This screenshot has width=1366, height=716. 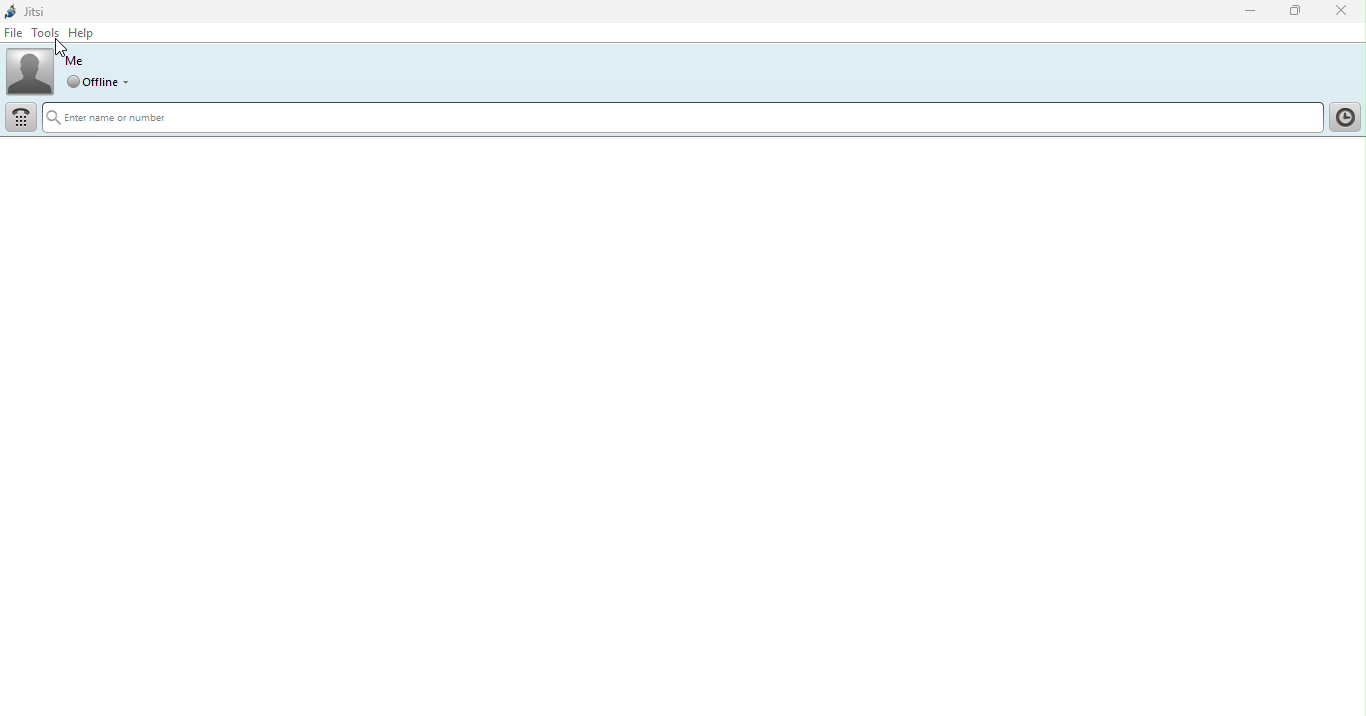 What do you see at coordinates (43, 32) in the screenshot?
I see `Tools` at bounding box center [43, 32].